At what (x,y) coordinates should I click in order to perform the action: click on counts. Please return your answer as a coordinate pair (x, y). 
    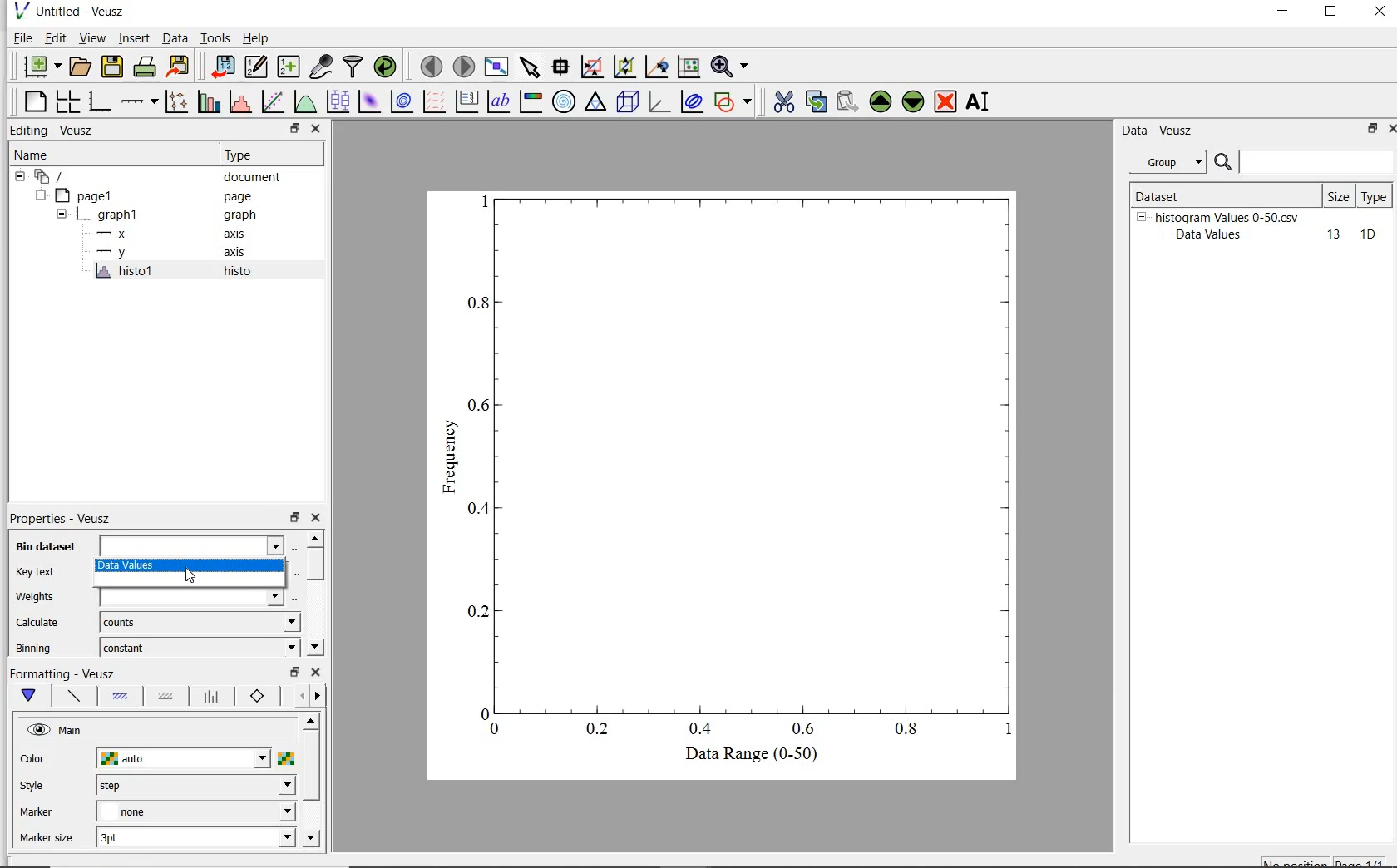
    Looking at the image, I should click on (195, 622).